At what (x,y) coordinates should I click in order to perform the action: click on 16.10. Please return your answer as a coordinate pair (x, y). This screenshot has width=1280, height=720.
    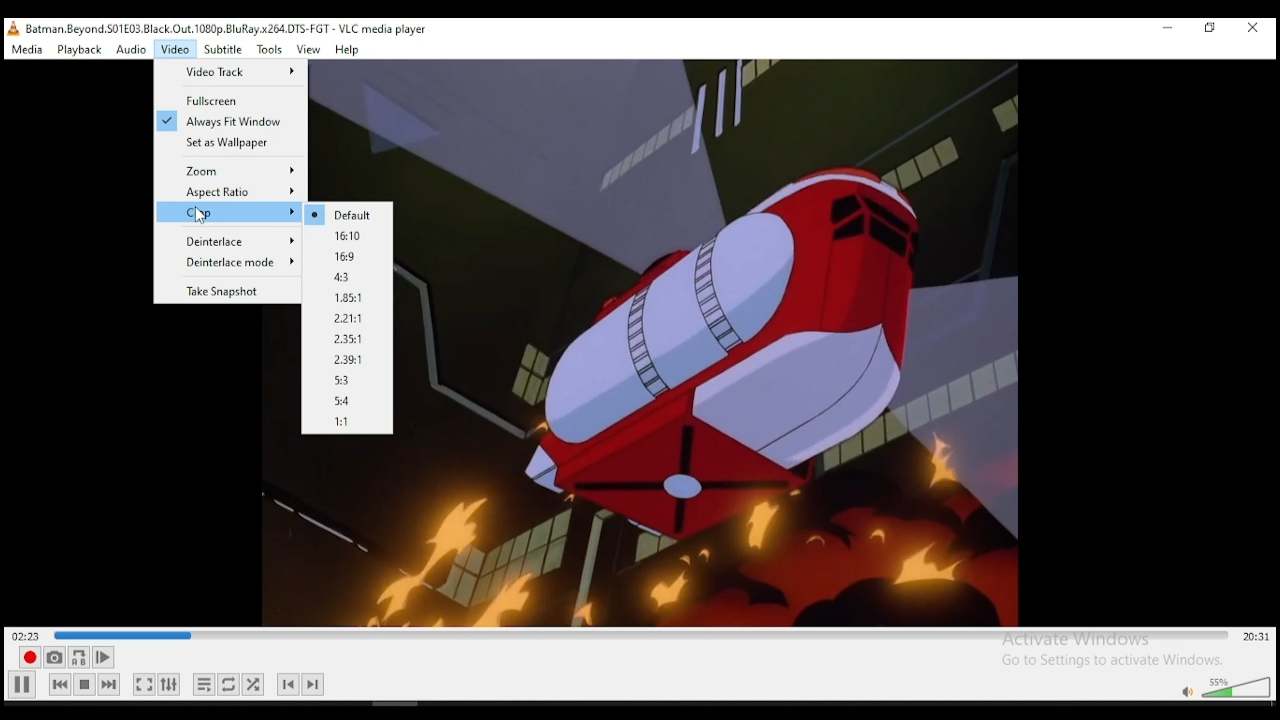
    Looking at the image, I should click on (348, 236).